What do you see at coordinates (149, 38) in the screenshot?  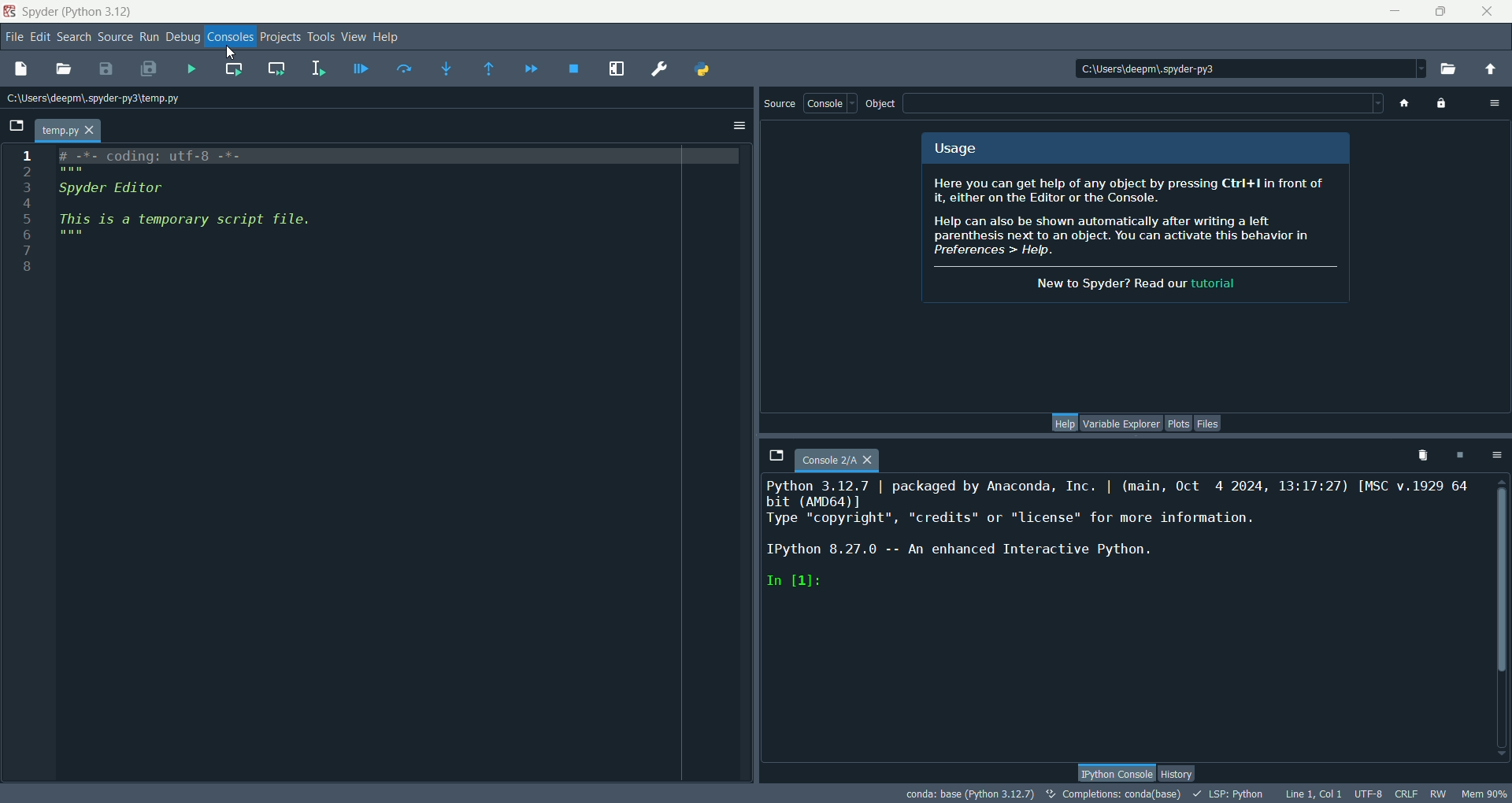 I see `run` at bounding box center [149, 38].